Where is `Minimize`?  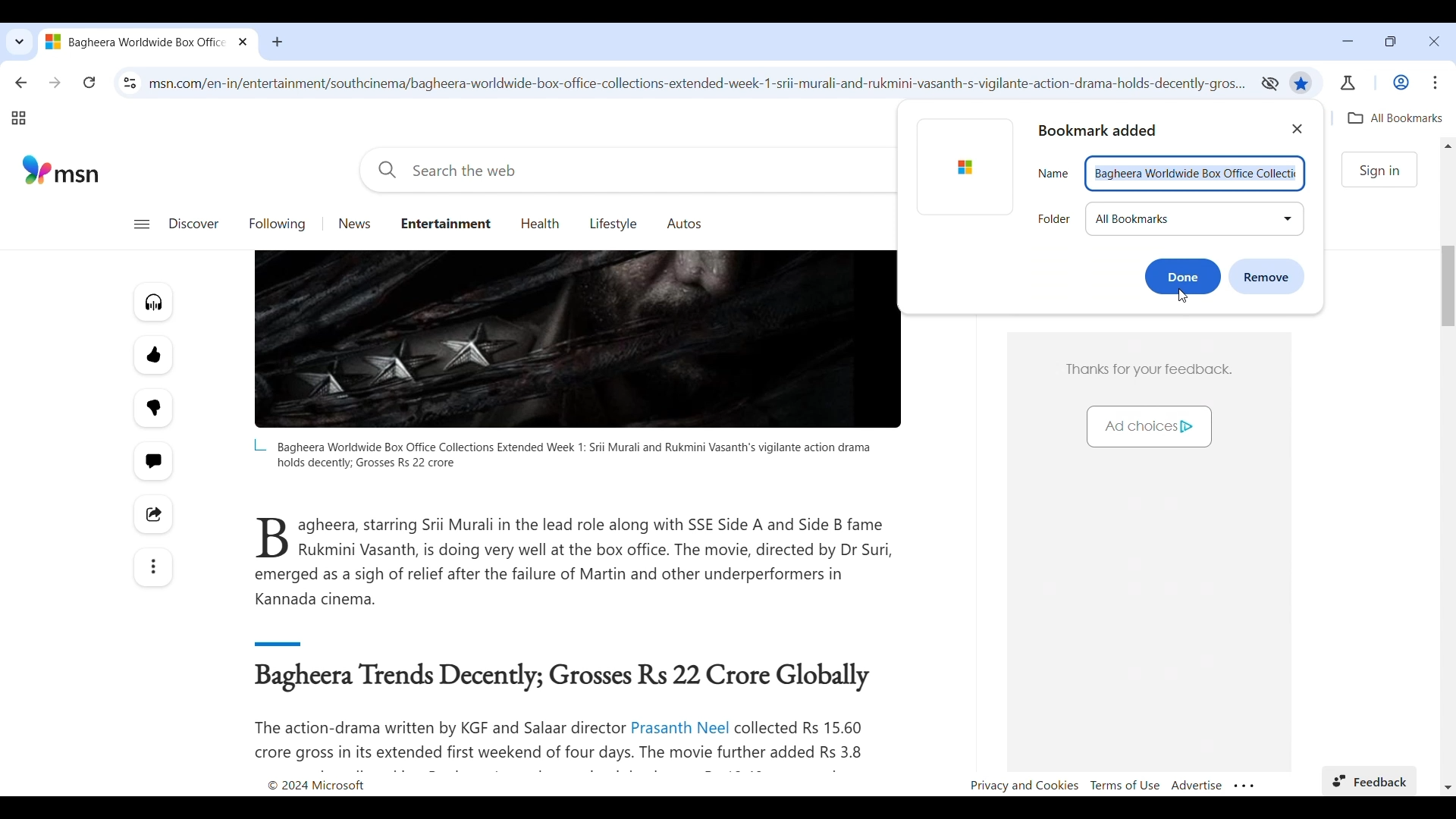
Minimize is located at coordinates (1348, 41).